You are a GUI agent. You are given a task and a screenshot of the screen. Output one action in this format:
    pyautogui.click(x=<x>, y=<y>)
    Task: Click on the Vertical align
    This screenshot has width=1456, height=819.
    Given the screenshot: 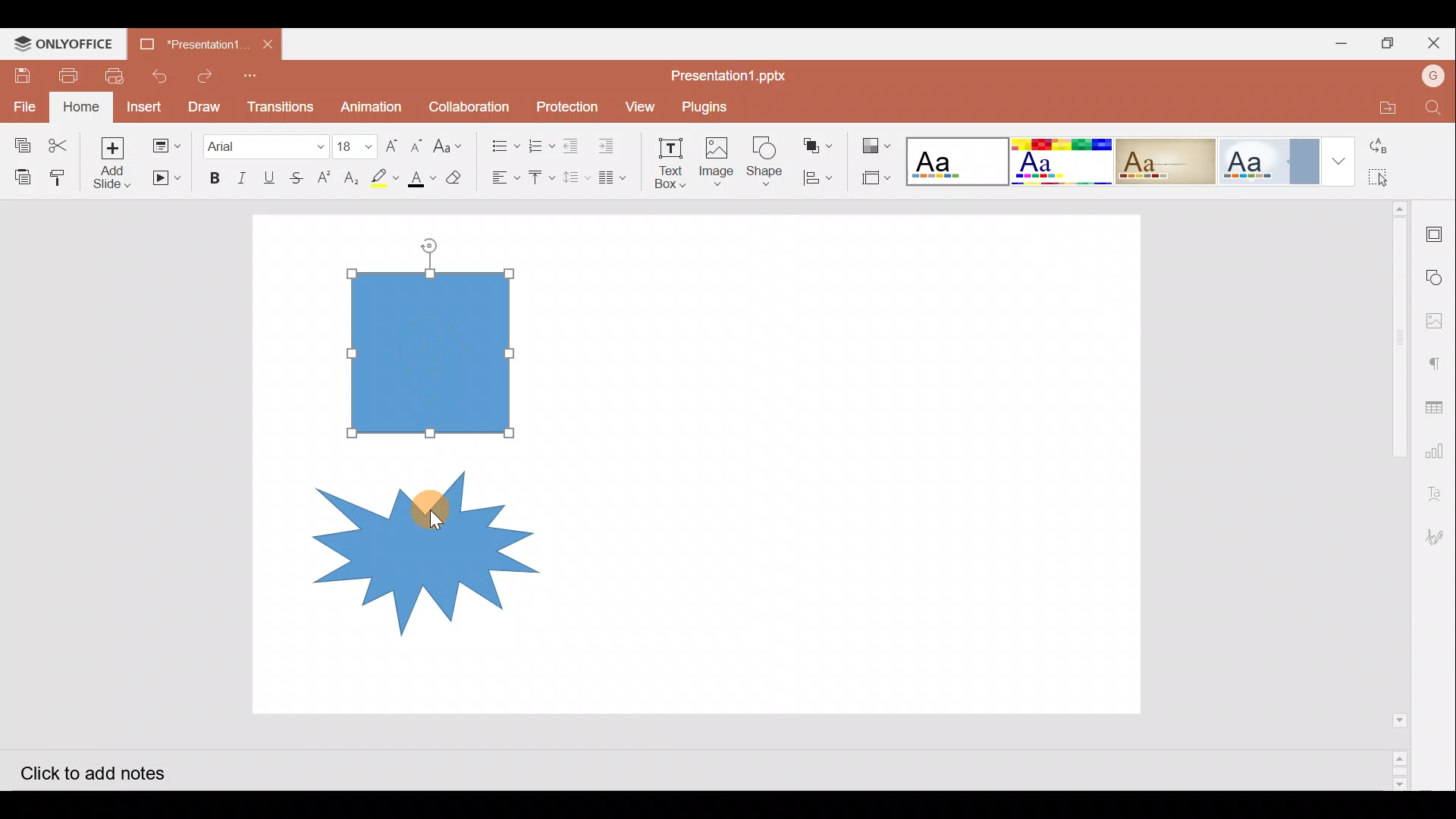 What is the action you would take?
    pyautogui.click(x=538, y=173)
    